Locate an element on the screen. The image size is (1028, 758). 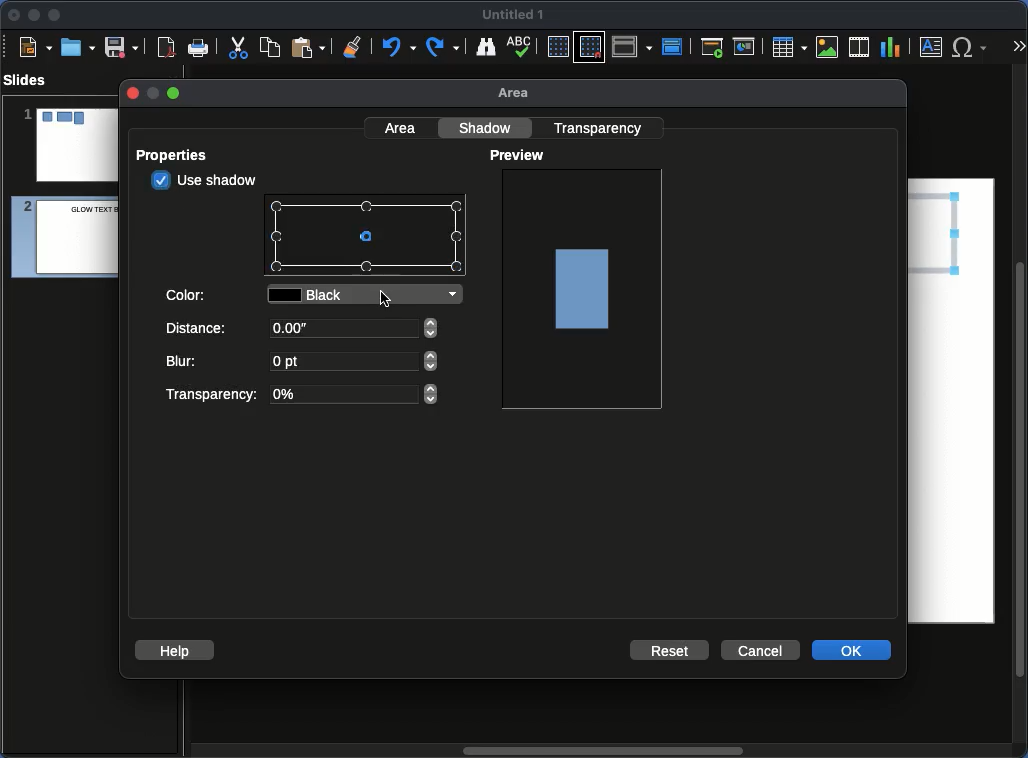
Name is located at coordinates (514, 15).